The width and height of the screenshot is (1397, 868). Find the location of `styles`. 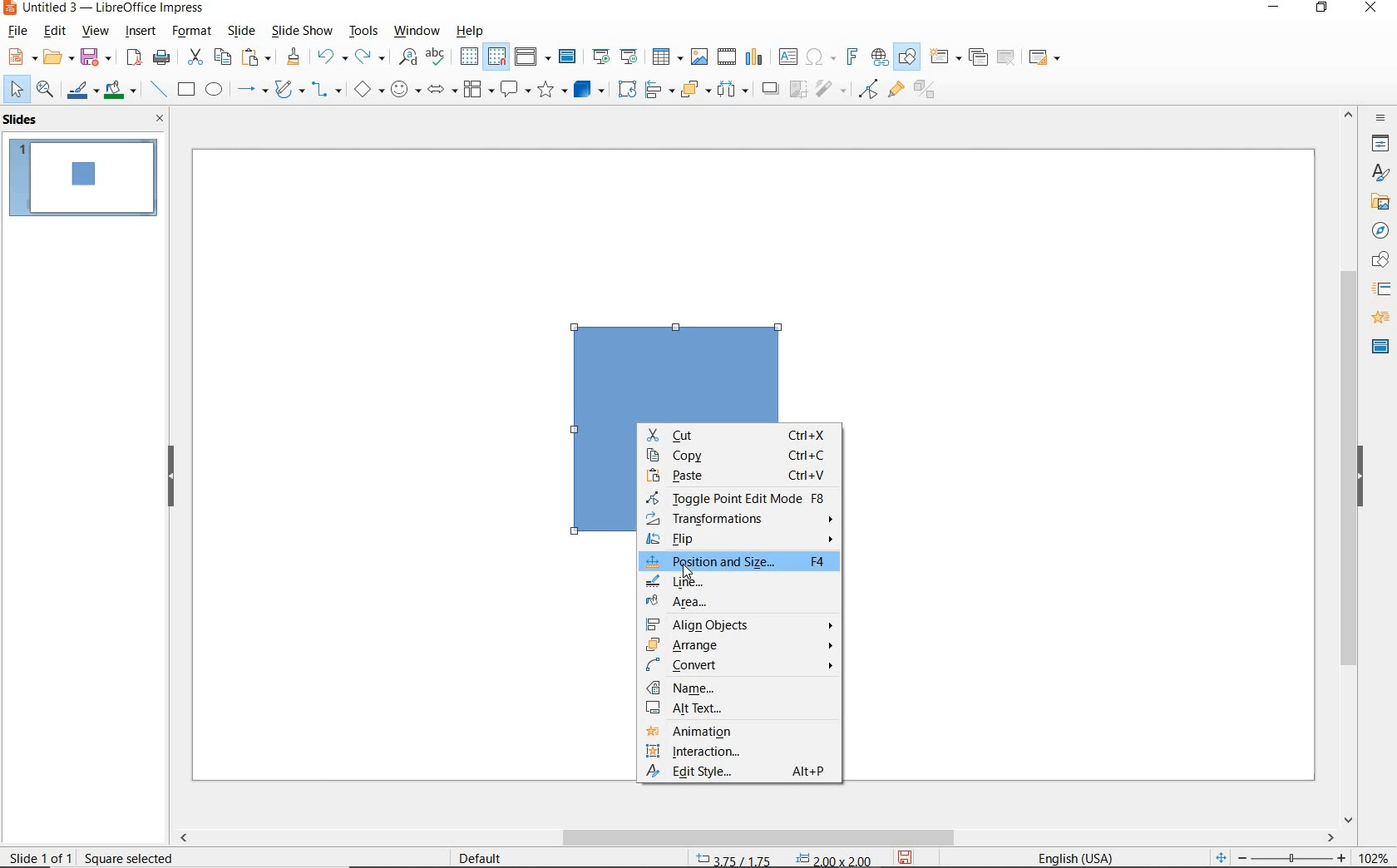

styles is located at coordinates (1380, 174).